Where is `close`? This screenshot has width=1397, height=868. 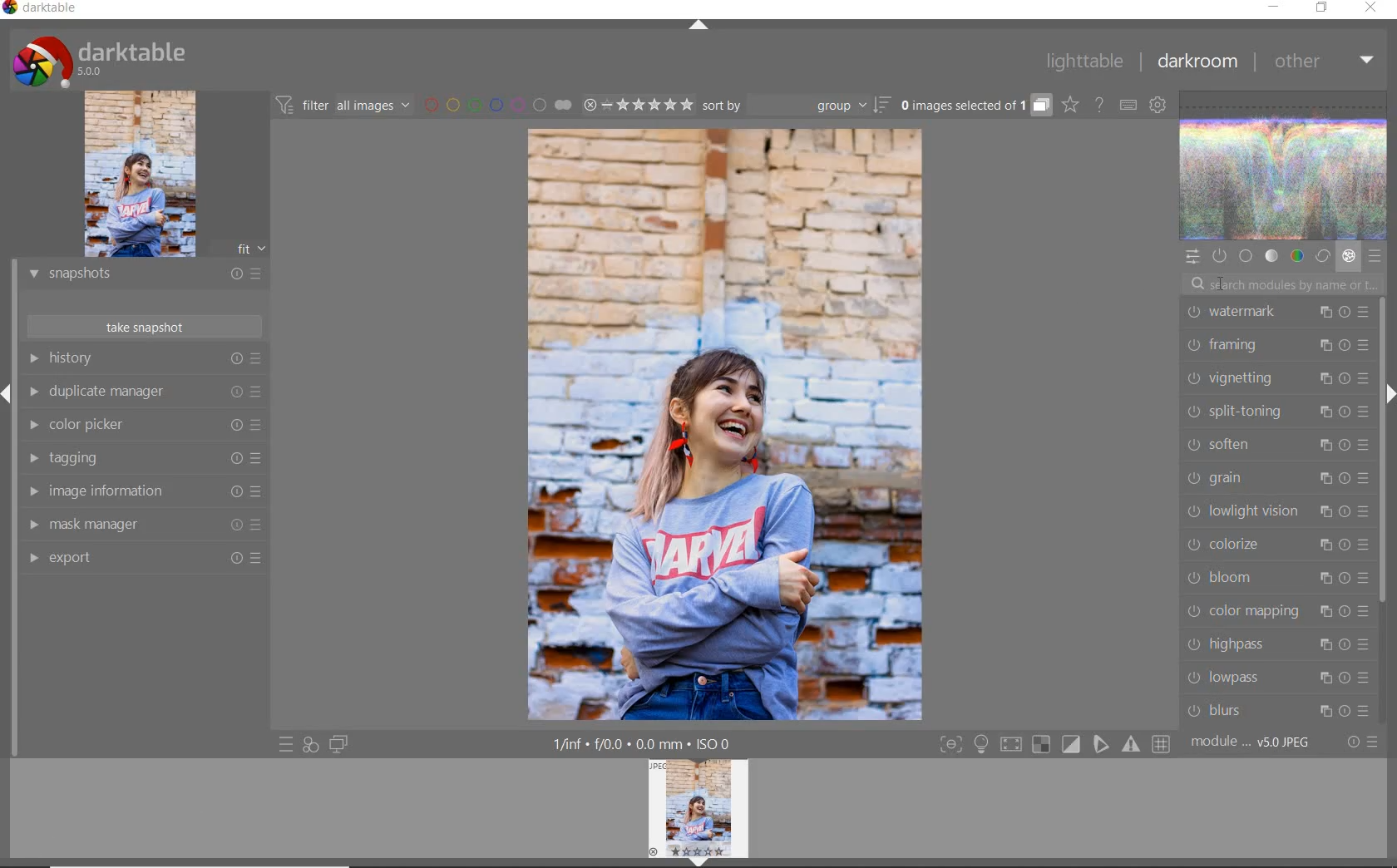
close is located at coordinates (1370, 9).